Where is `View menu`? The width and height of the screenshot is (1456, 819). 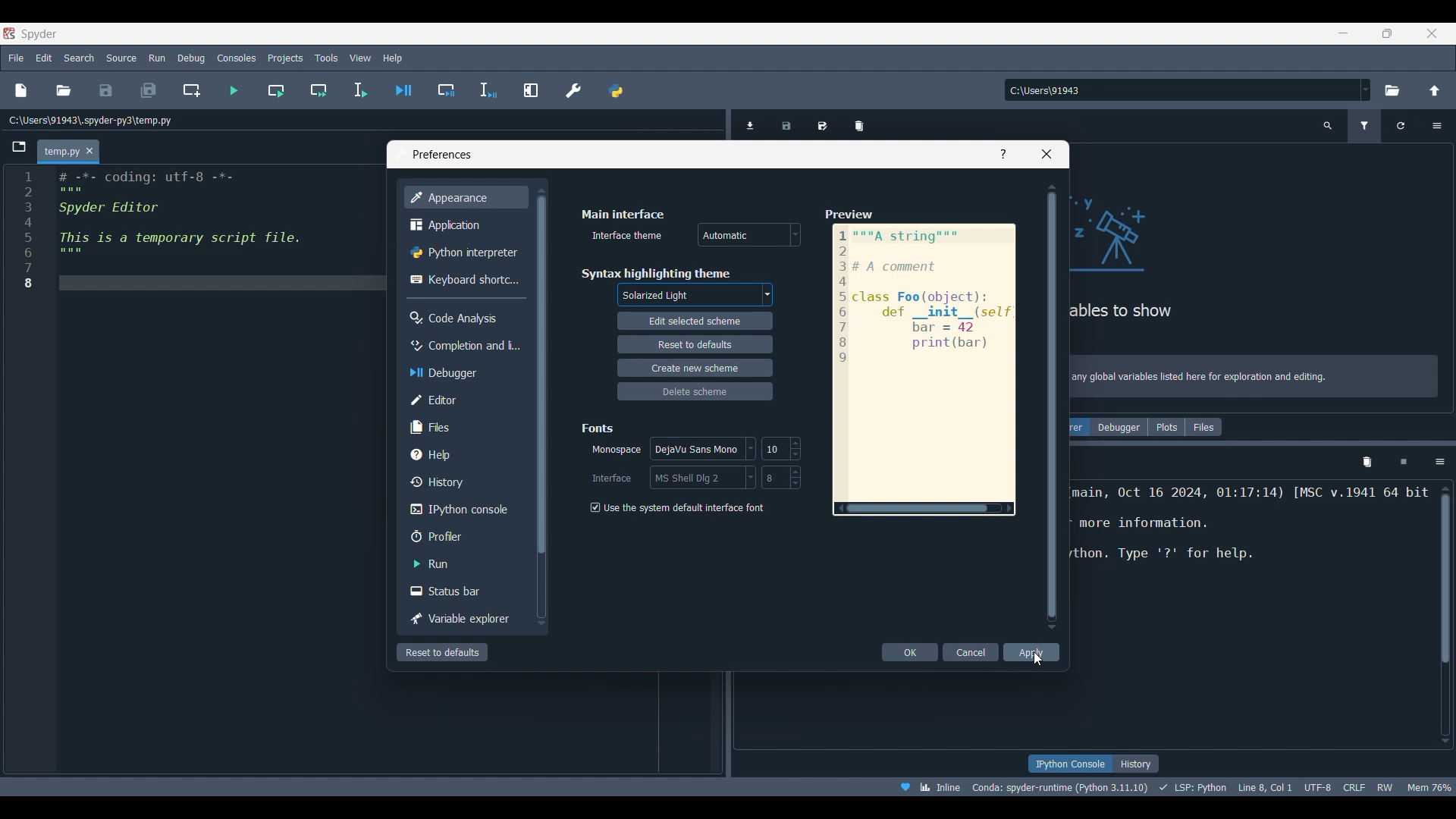
View menu is located at coordinates (360, 58).